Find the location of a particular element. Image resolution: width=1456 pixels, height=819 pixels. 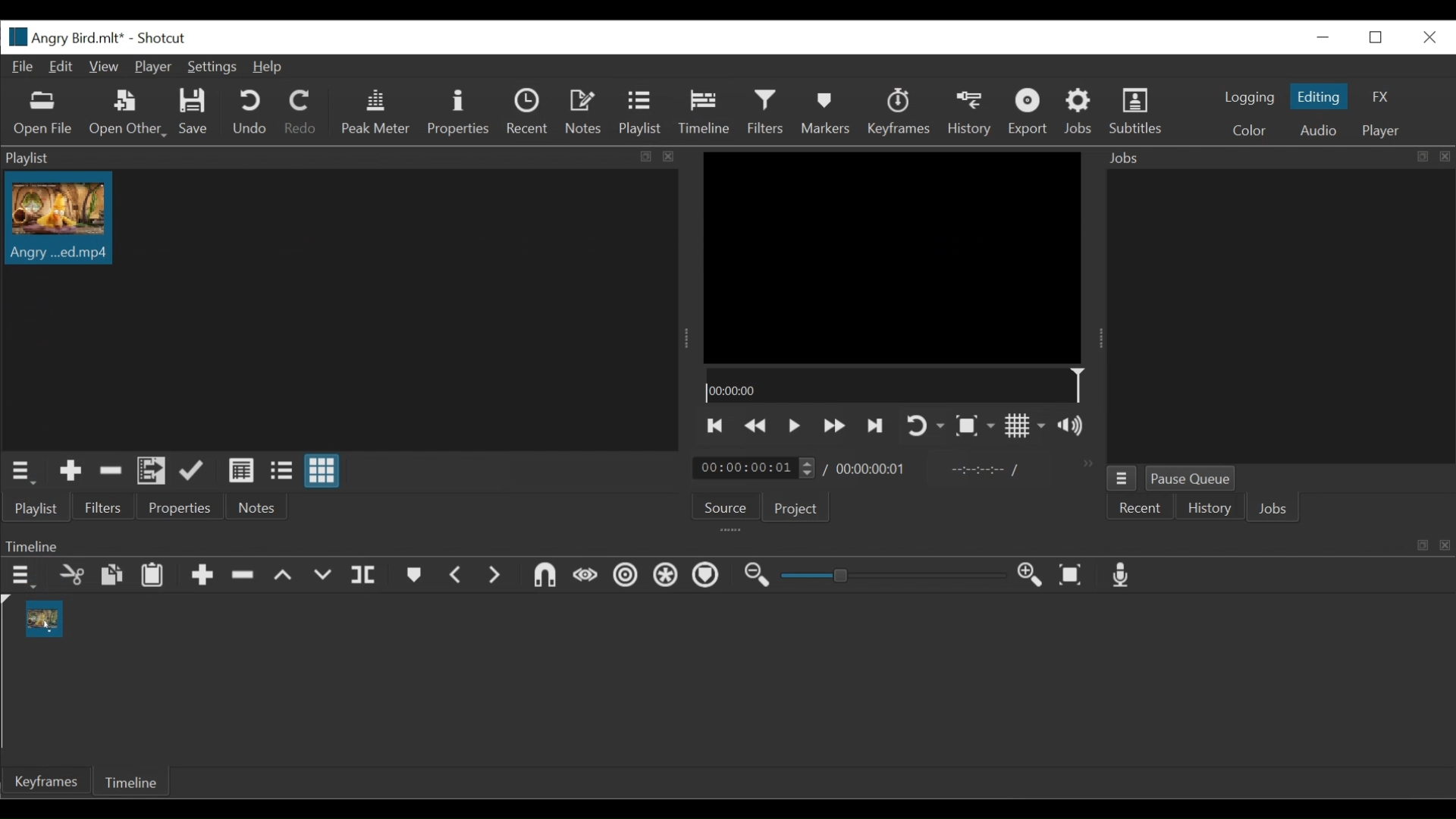

Zoom slider is located at coordinates (889, 577).